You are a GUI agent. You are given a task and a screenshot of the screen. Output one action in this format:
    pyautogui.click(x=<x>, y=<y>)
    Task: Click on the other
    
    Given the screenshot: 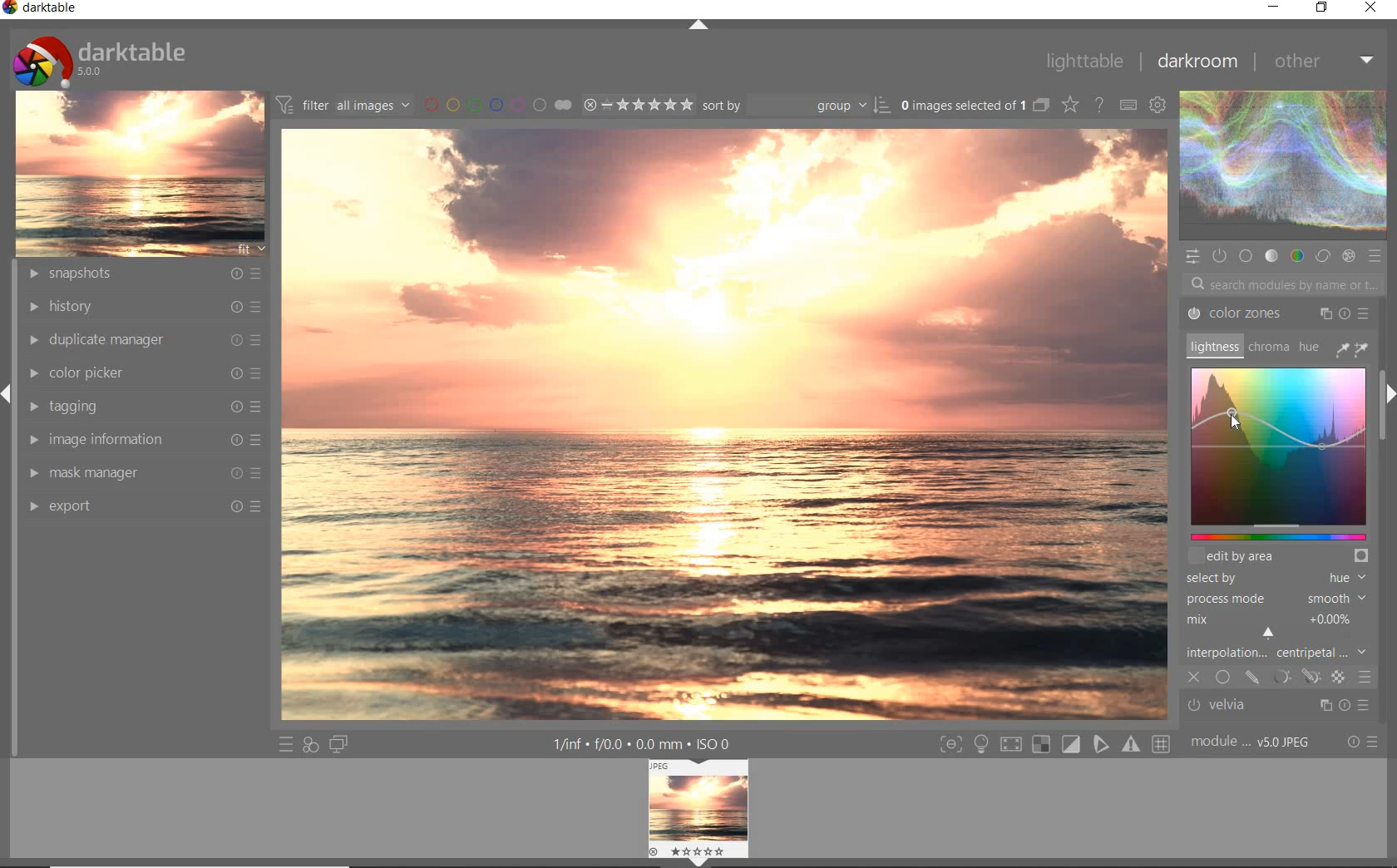 What is the action you would take?
    pyautogui.click(x=1326, y=65)
    